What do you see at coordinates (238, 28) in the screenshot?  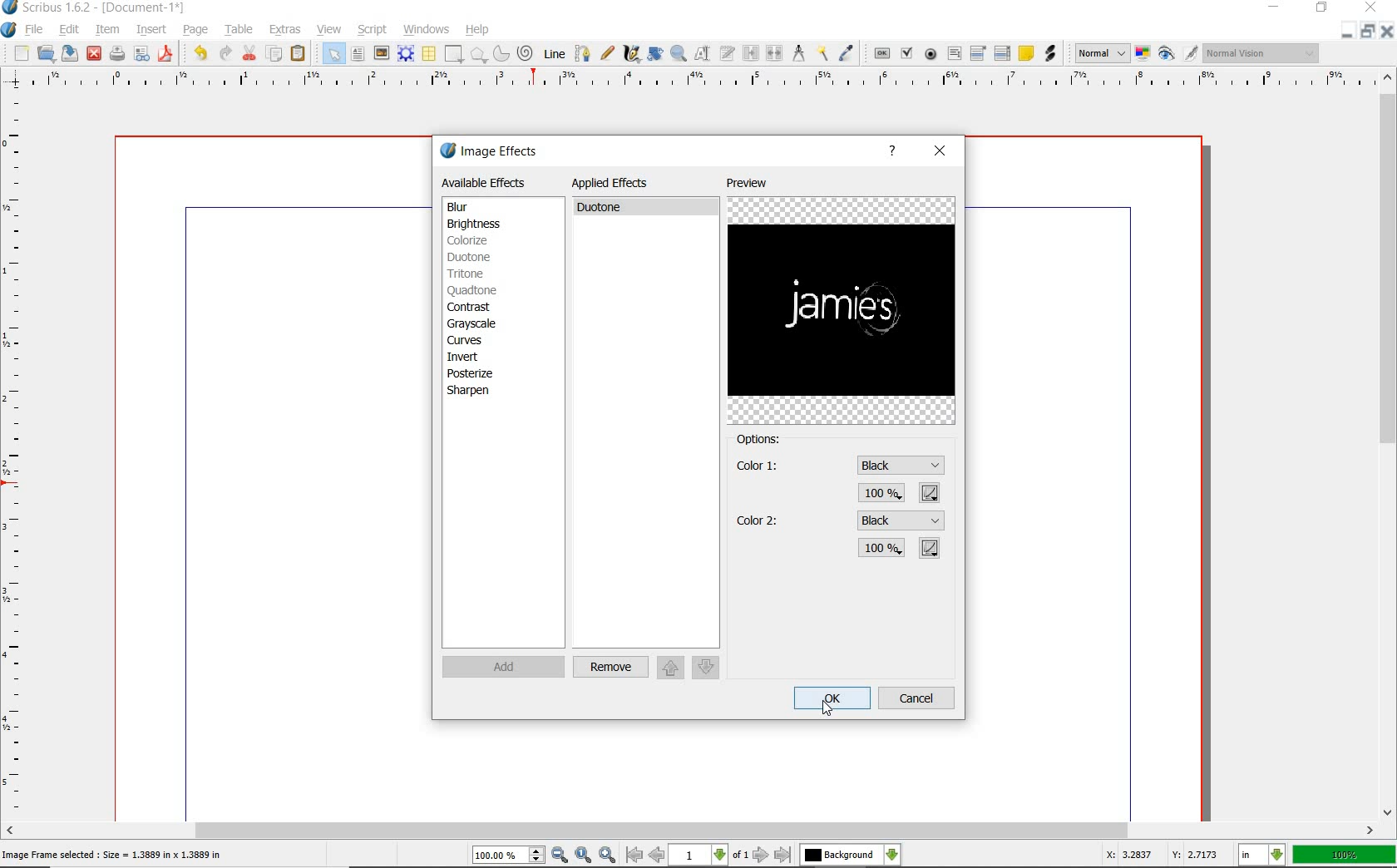 I see `table` at bounding box center [238, 28].